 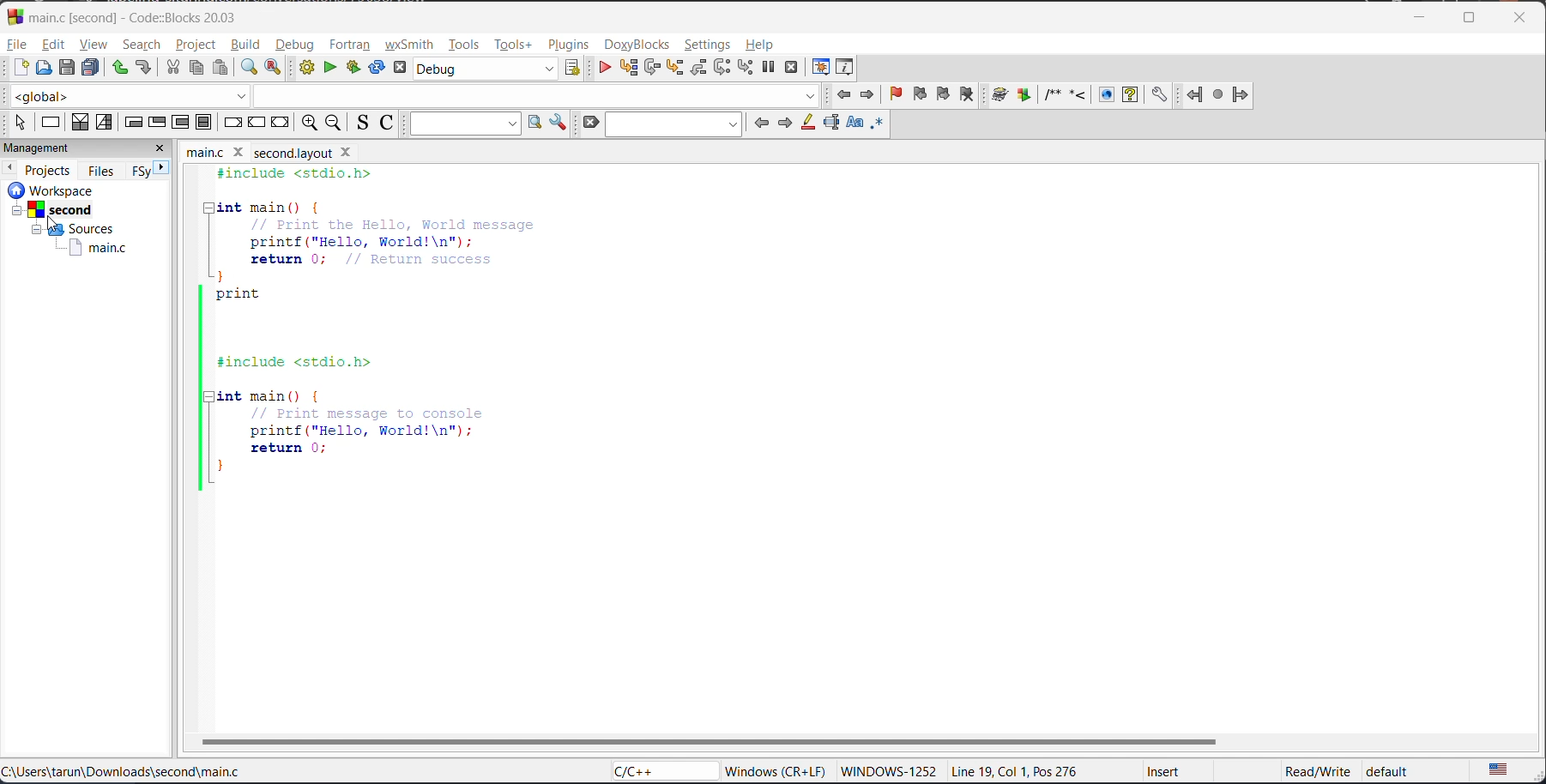 I want to click on project, so click(x=190, y=43).